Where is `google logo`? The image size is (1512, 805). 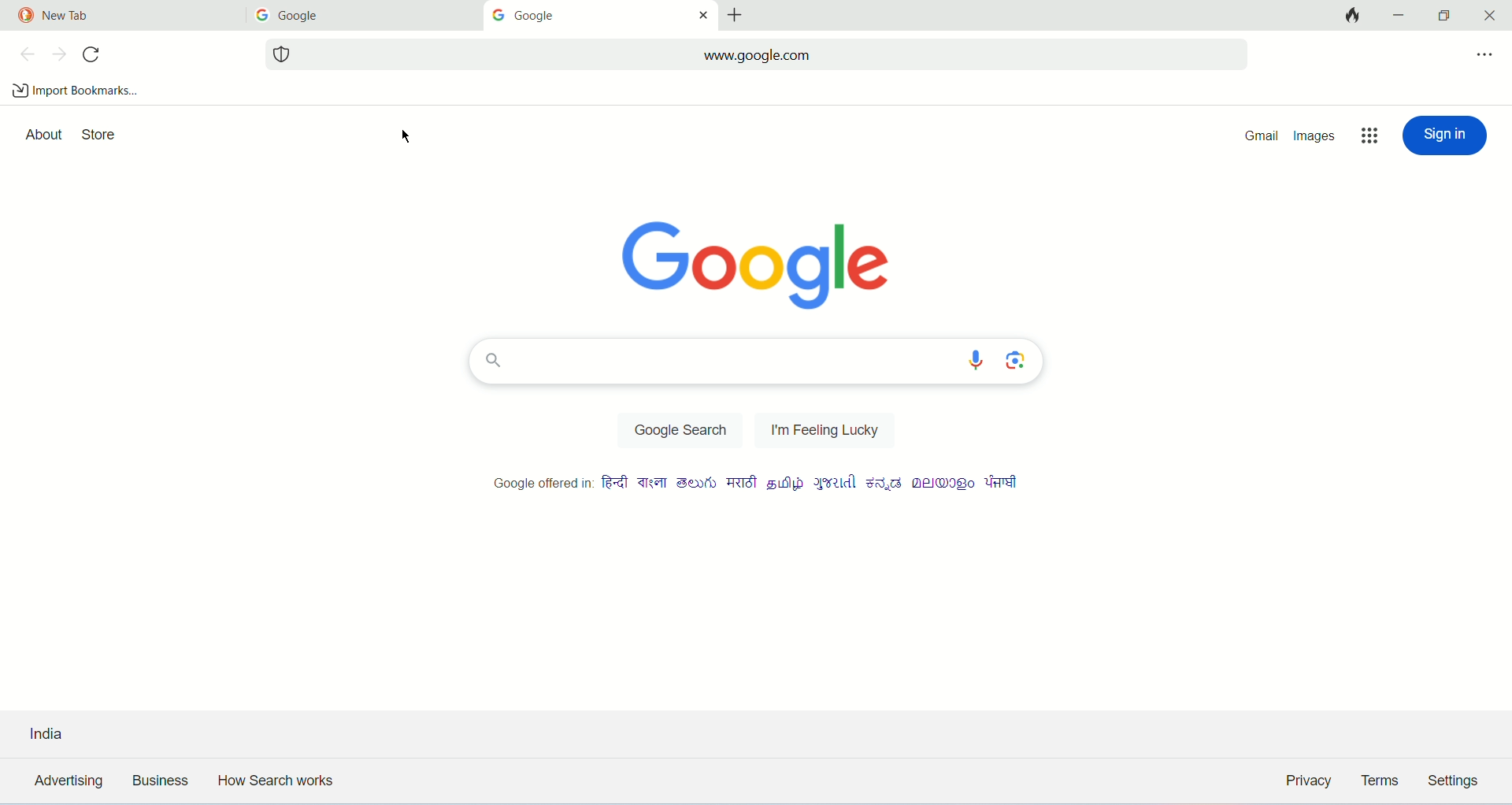
google logo is located at coordinates (762, 261).